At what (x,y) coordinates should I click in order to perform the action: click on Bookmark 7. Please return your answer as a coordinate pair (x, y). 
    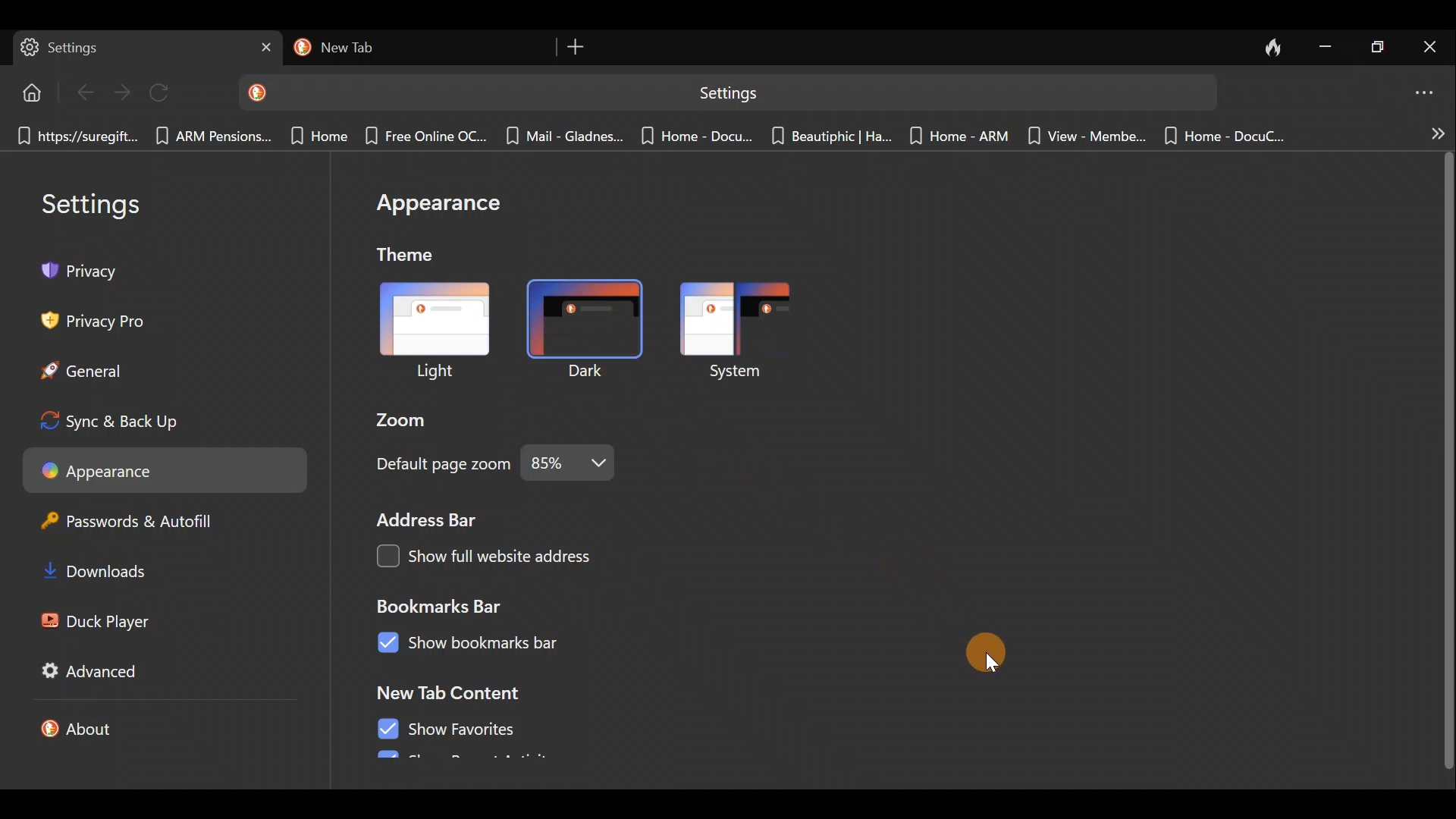
    Looking at the image, I should click on (830, 137).